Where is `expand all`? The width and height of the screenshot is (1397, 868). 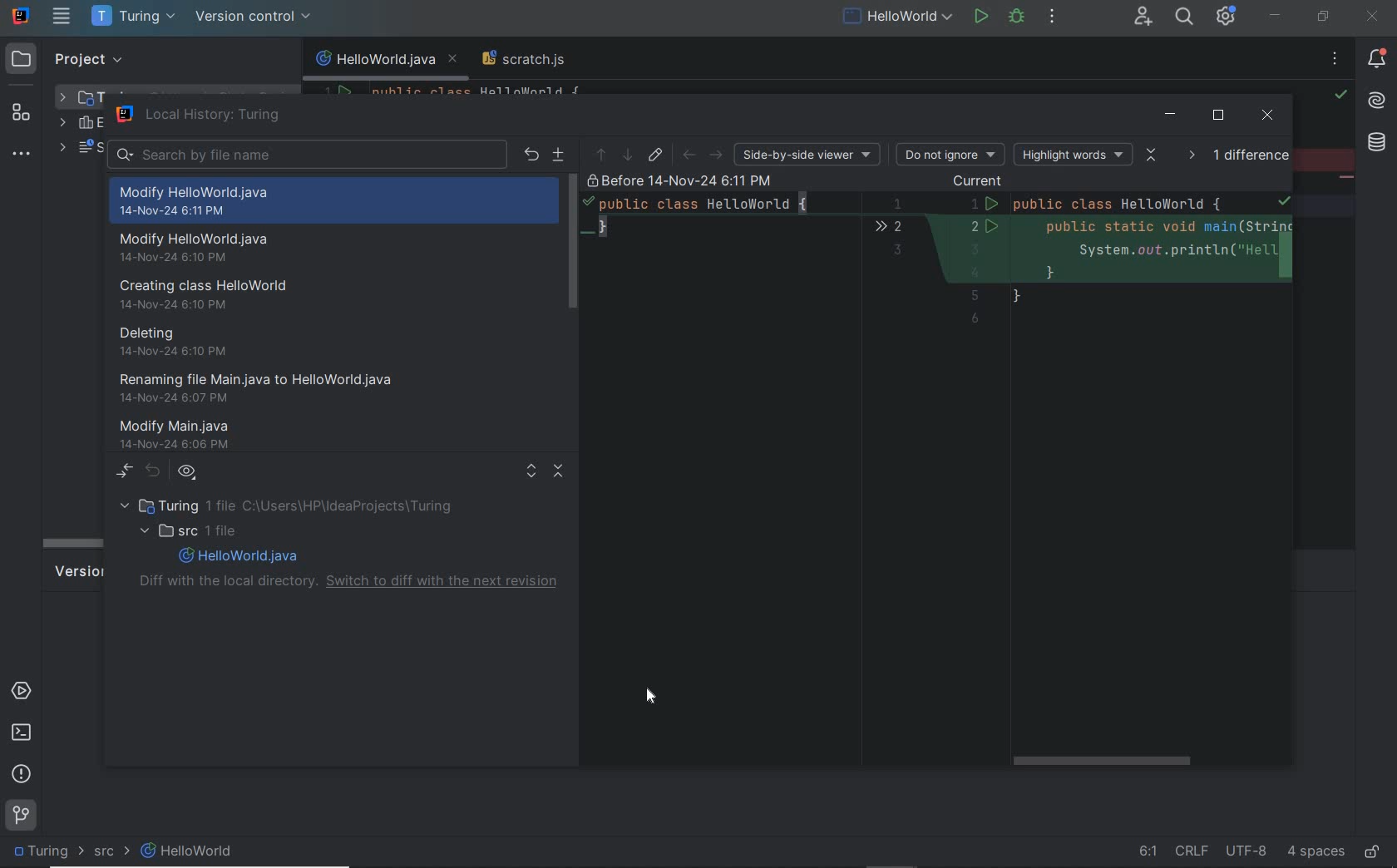
expand all is located at coordinates (531, 473).